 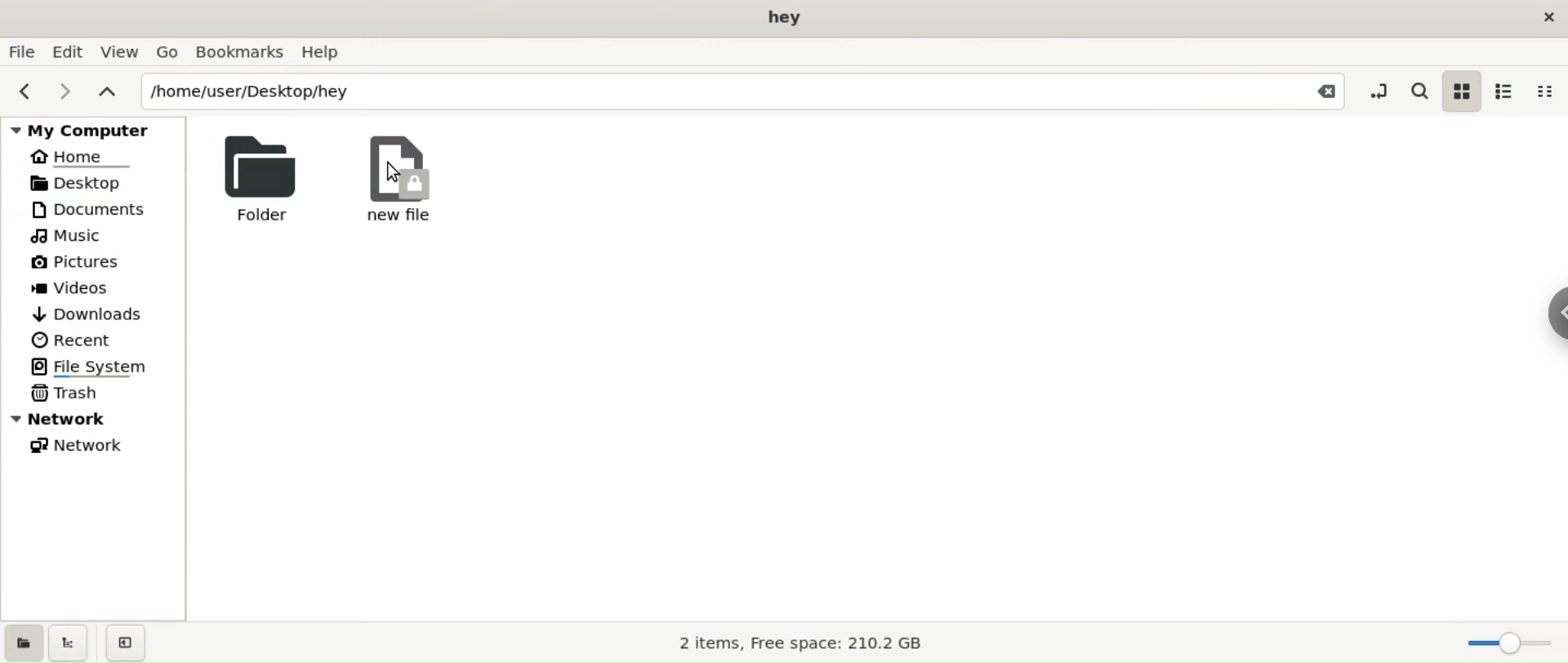 What do you see at coordinates (1508, 640) in the screenshot?
I see `zoom` at bounding box center [1508, 640].